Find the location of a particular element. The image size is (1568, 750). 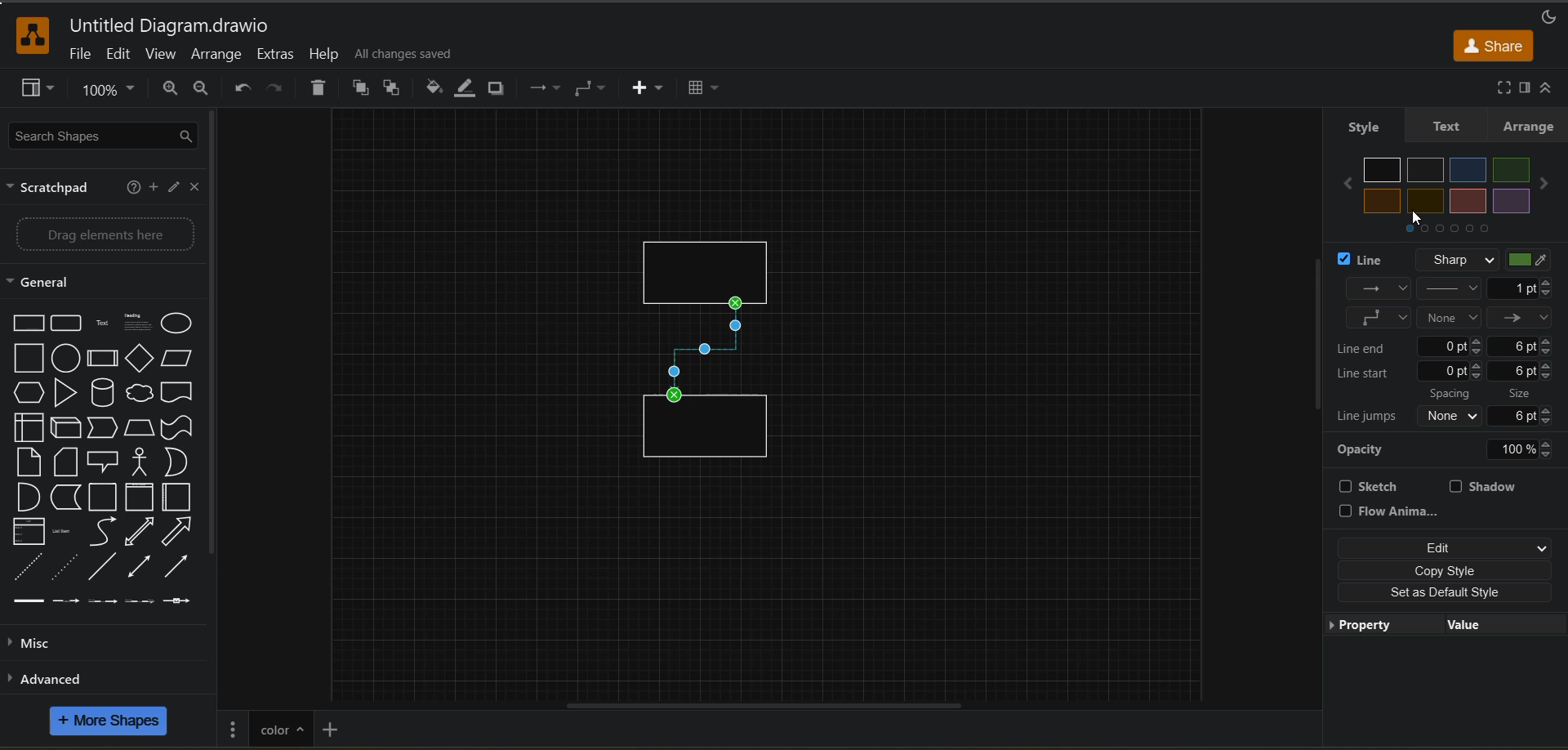

connector is located at coordinates (706, 350).